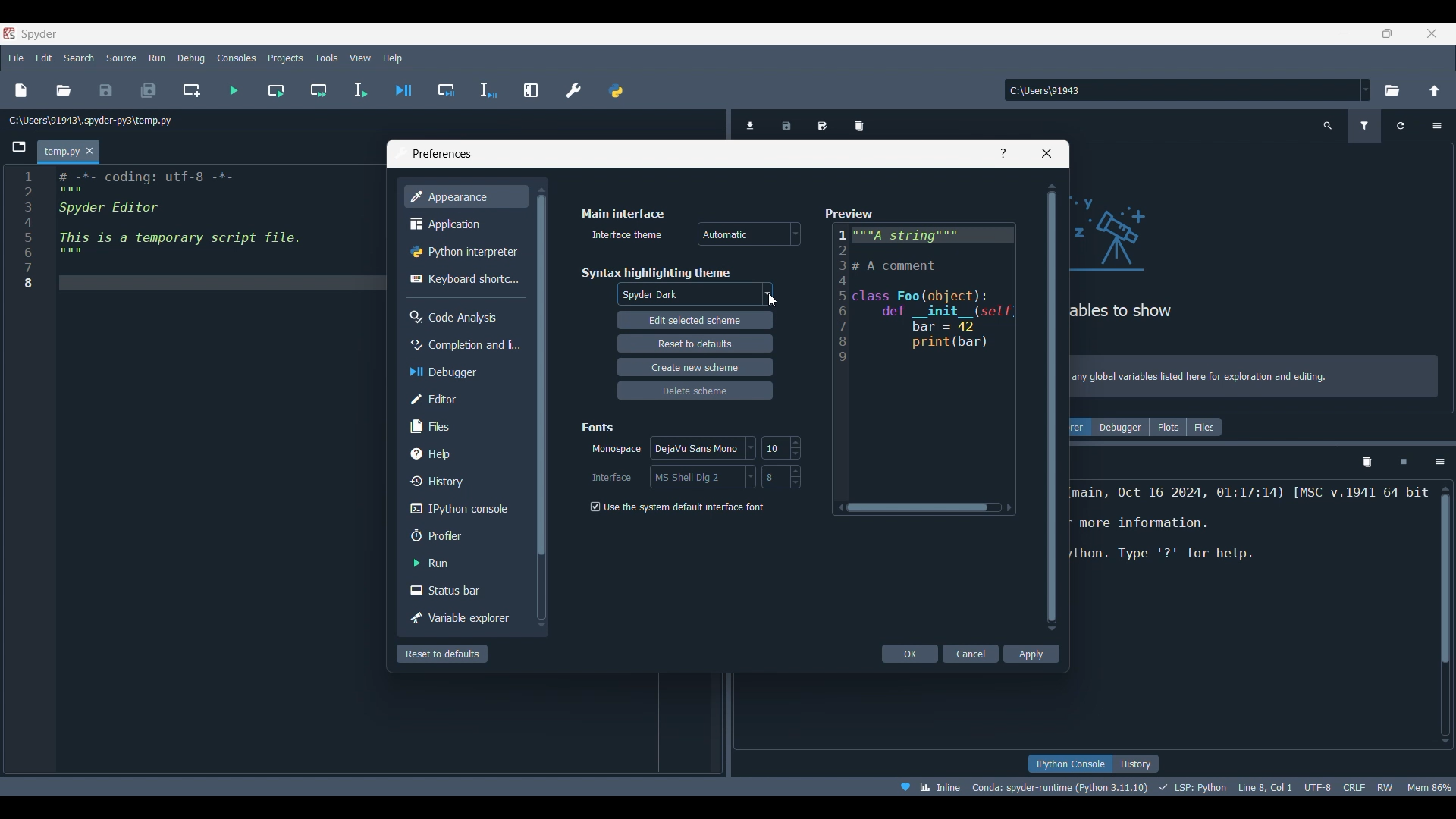 Image resolution: width=1456 pixels, height=819 pixels. What do you see at coordinates (463, 399) in the screenshot?
I see `Editor` at bounding box center [463, 399].